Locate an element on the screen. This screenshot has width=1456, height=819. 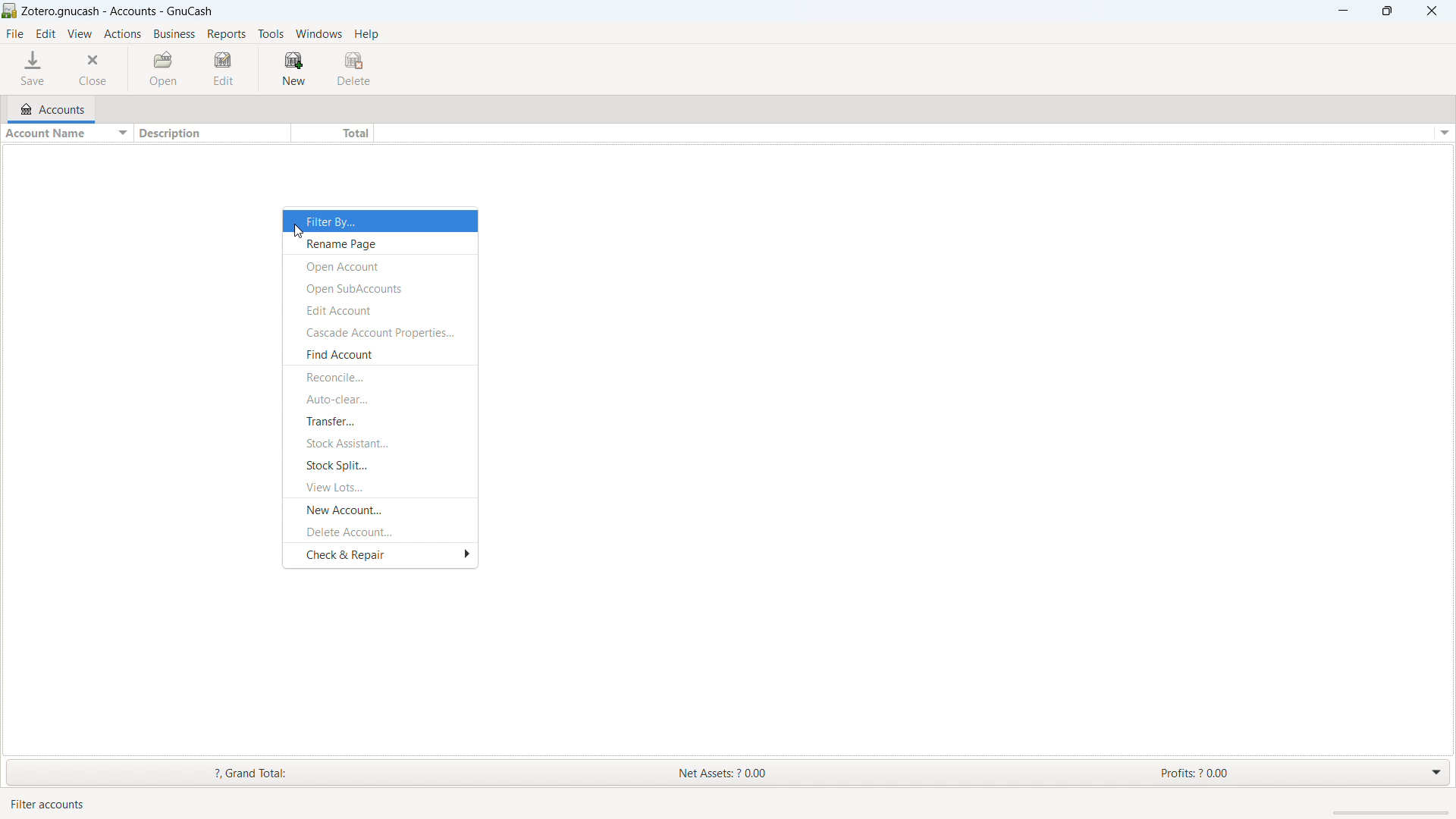
filter by is located at coordinates (381, 221).